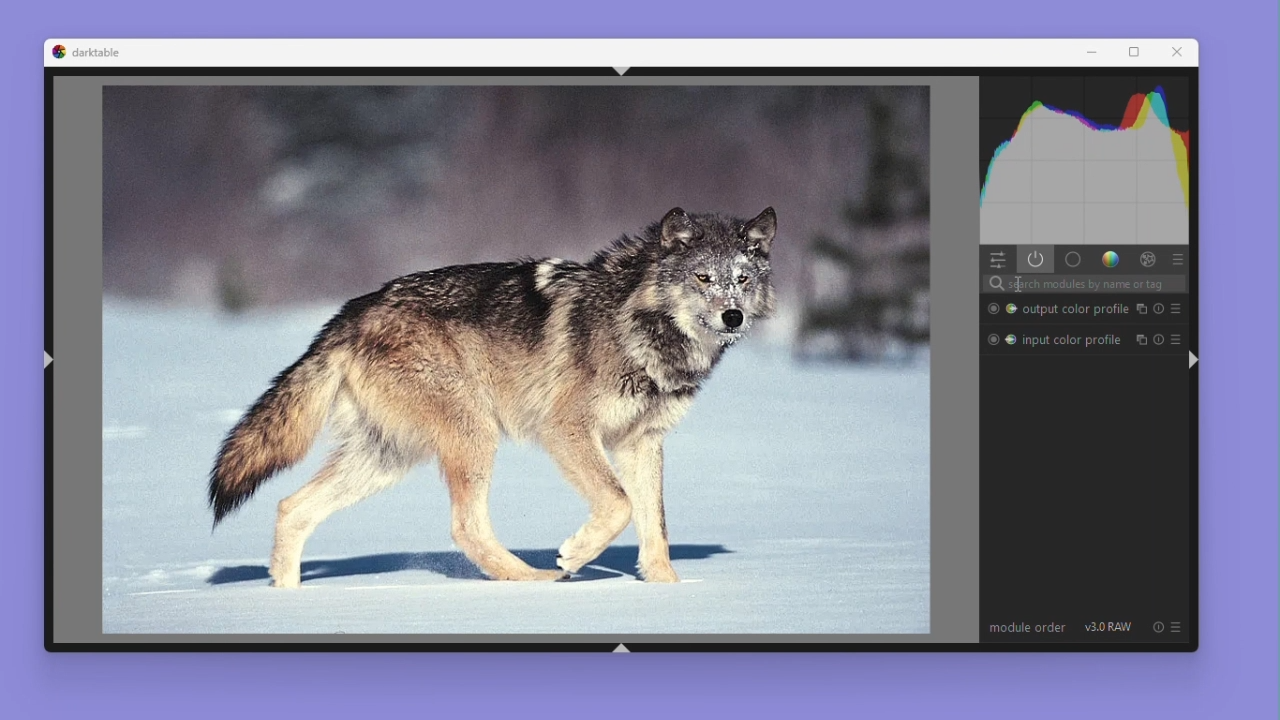 This screenshot has height=720, width=1280. What do you see at coordinates (998, 260) in the screenshot?
I see `Quick access panel` at bounding box center [998, 260].